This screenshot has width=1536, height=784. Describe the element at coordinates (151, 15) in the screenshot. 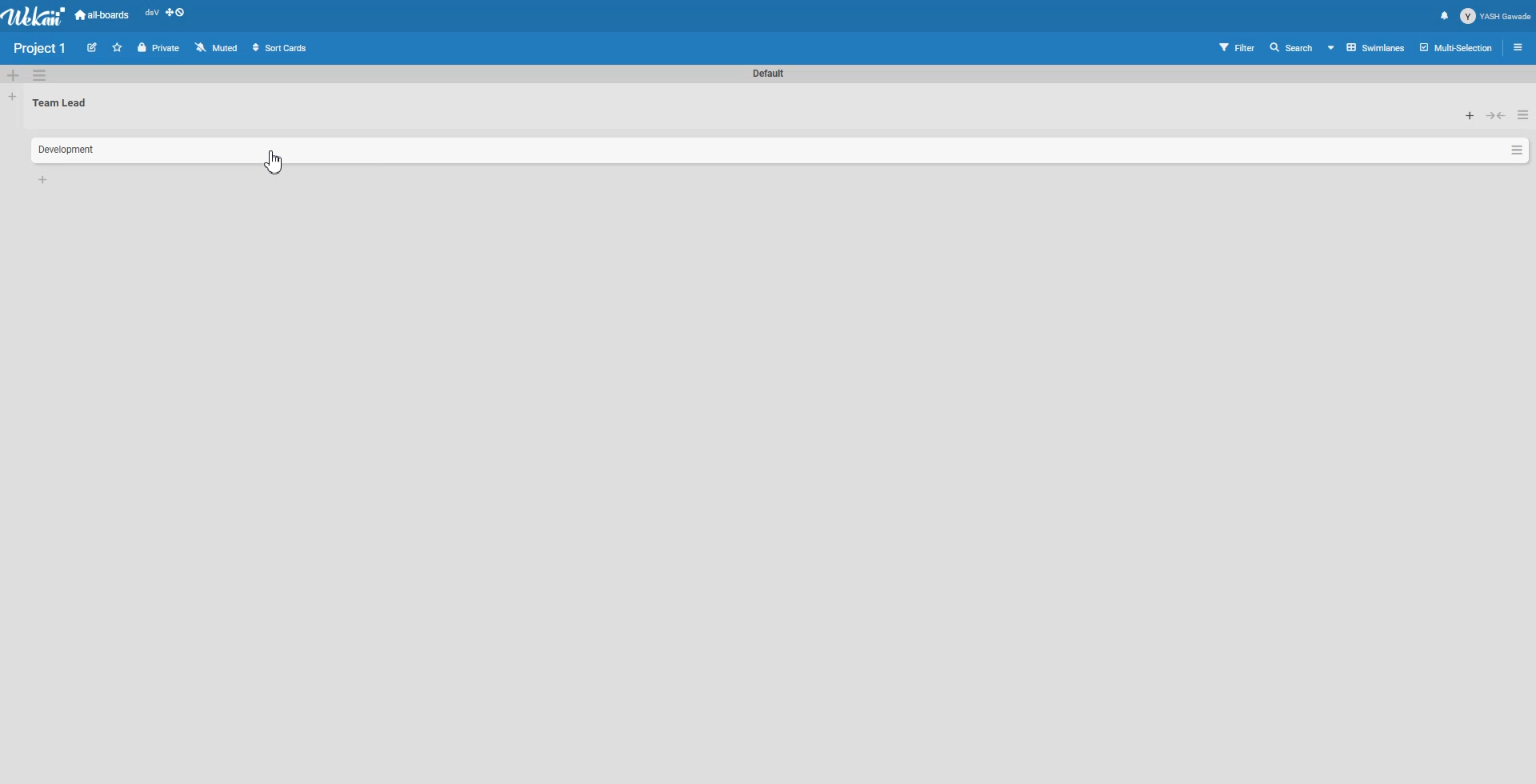

I see `Recent open file` at that location.